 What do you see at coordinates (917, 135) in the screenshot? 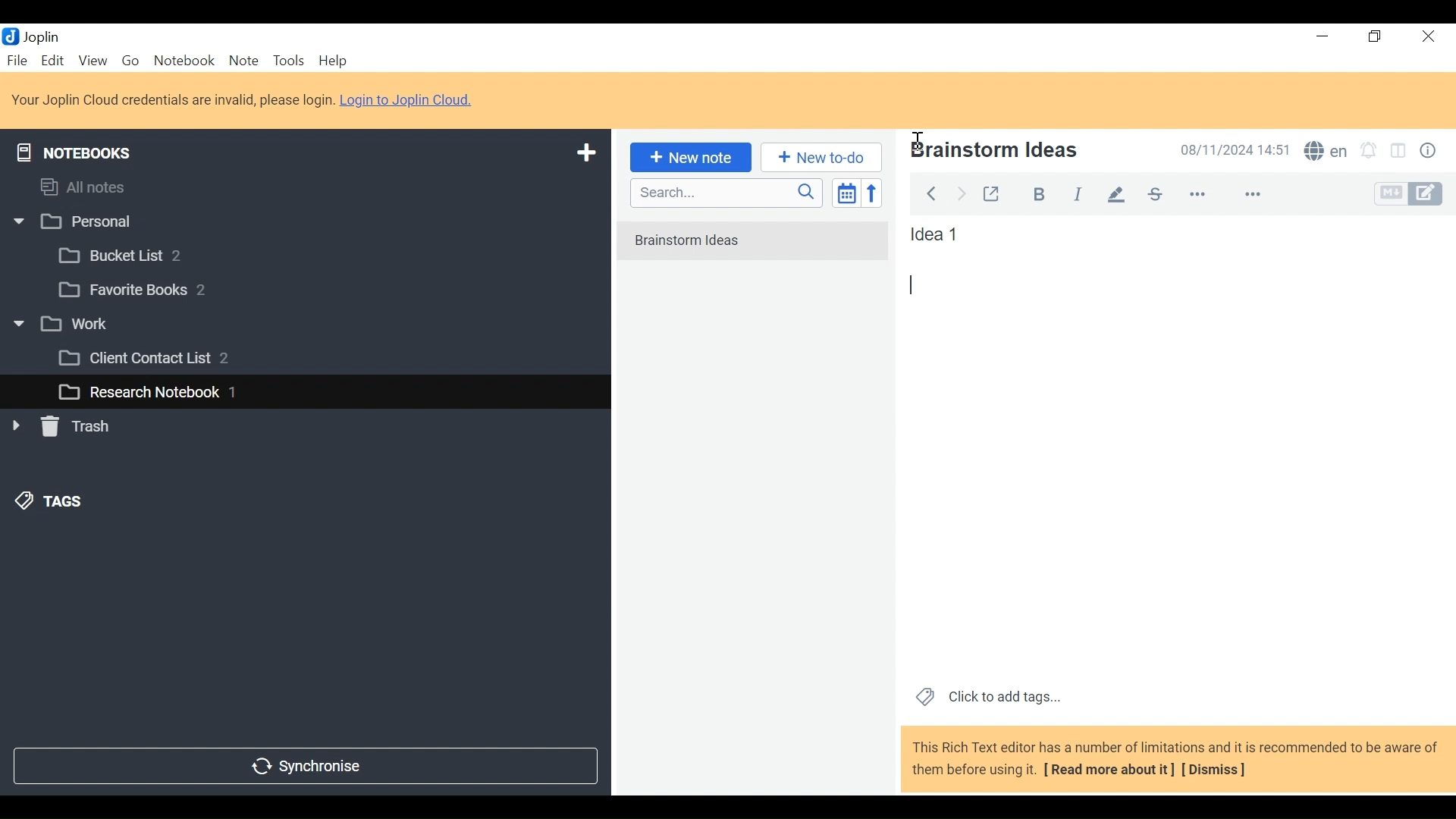
I see `Insertion Cursor` at bounding box center [917, 135].